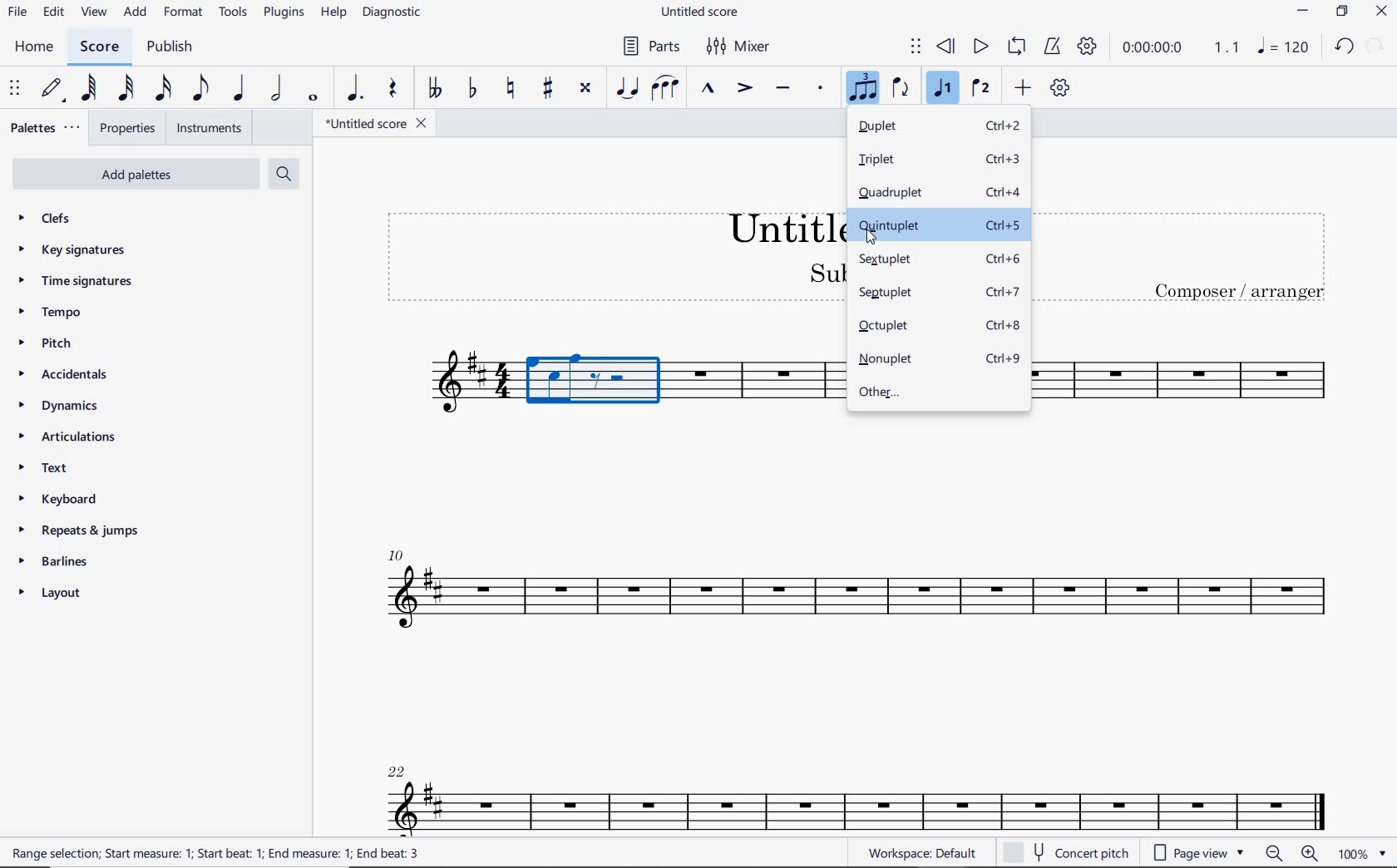 This screenshot has width=1397, height=868. I want to click on EDIT, so click(53, 12).